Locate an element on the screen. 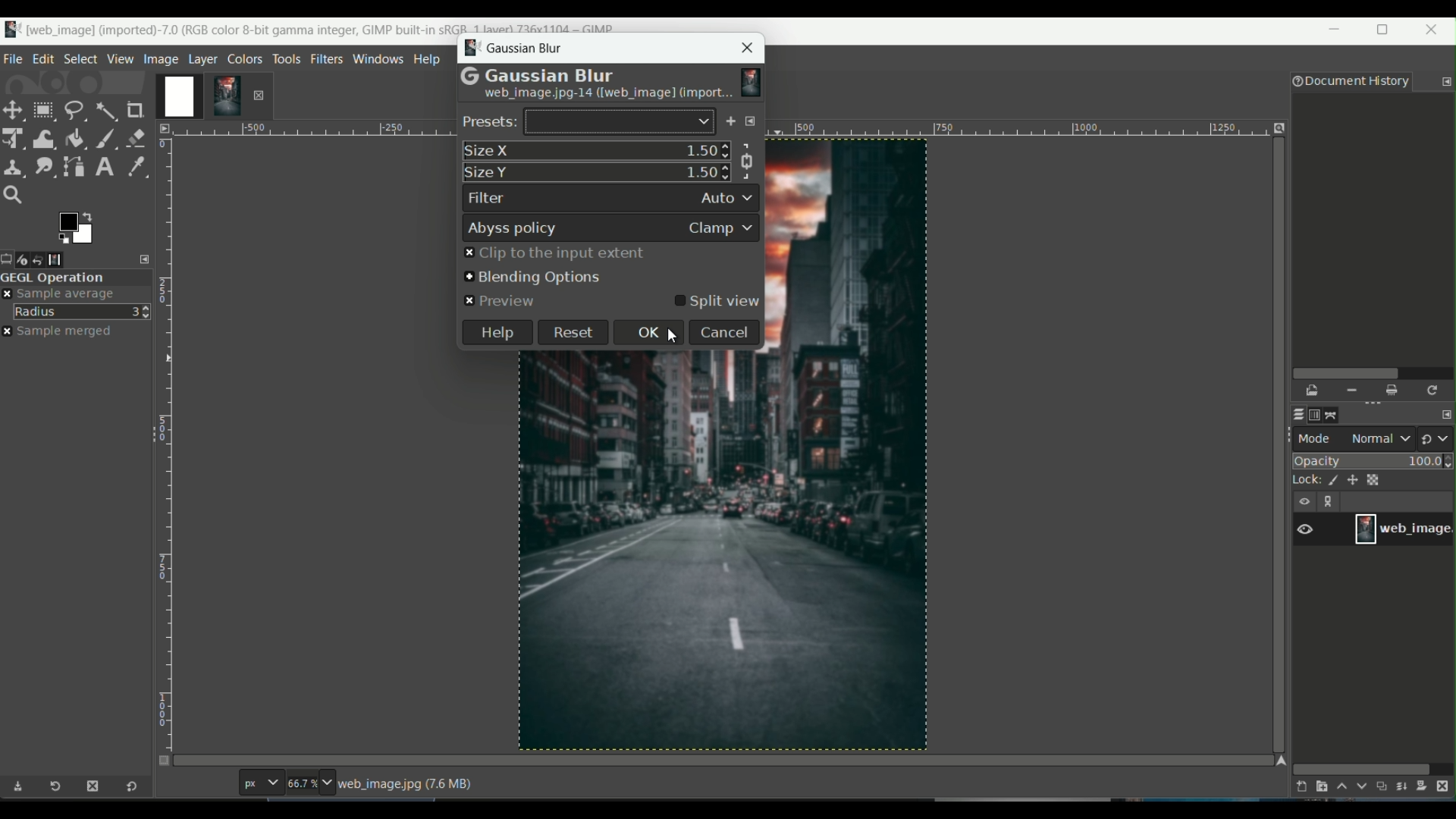 This screenshot has width=1456, height=819. cursor is located at coordinates (676, 336).